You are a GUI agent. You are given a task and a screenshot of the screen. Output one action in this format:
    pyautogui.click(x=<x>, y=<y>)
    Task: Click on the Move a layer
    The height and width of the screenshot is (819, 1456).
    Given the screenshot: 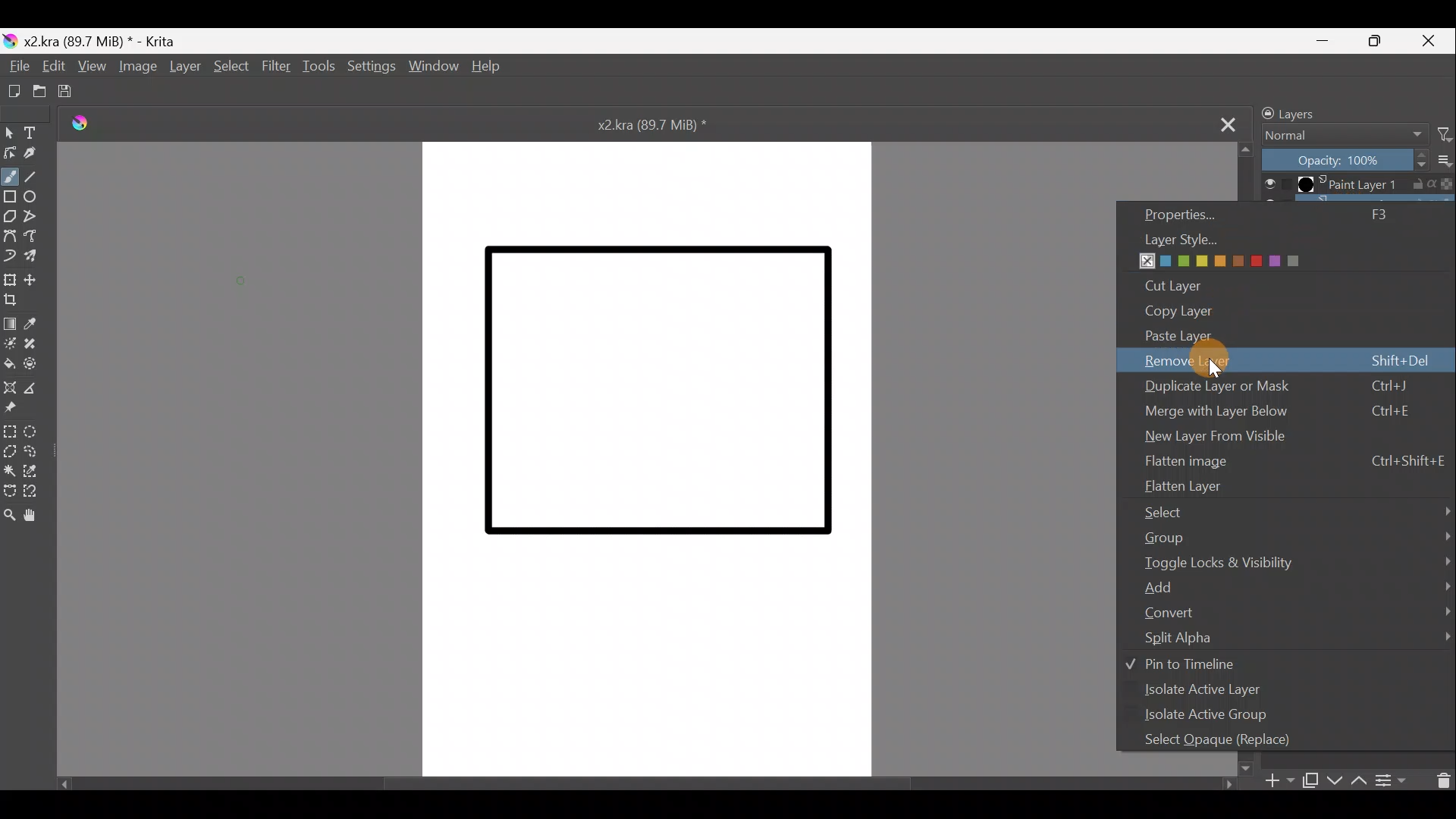 What is the action you would take?
    pyautogui.click(x=35, y=278)
    